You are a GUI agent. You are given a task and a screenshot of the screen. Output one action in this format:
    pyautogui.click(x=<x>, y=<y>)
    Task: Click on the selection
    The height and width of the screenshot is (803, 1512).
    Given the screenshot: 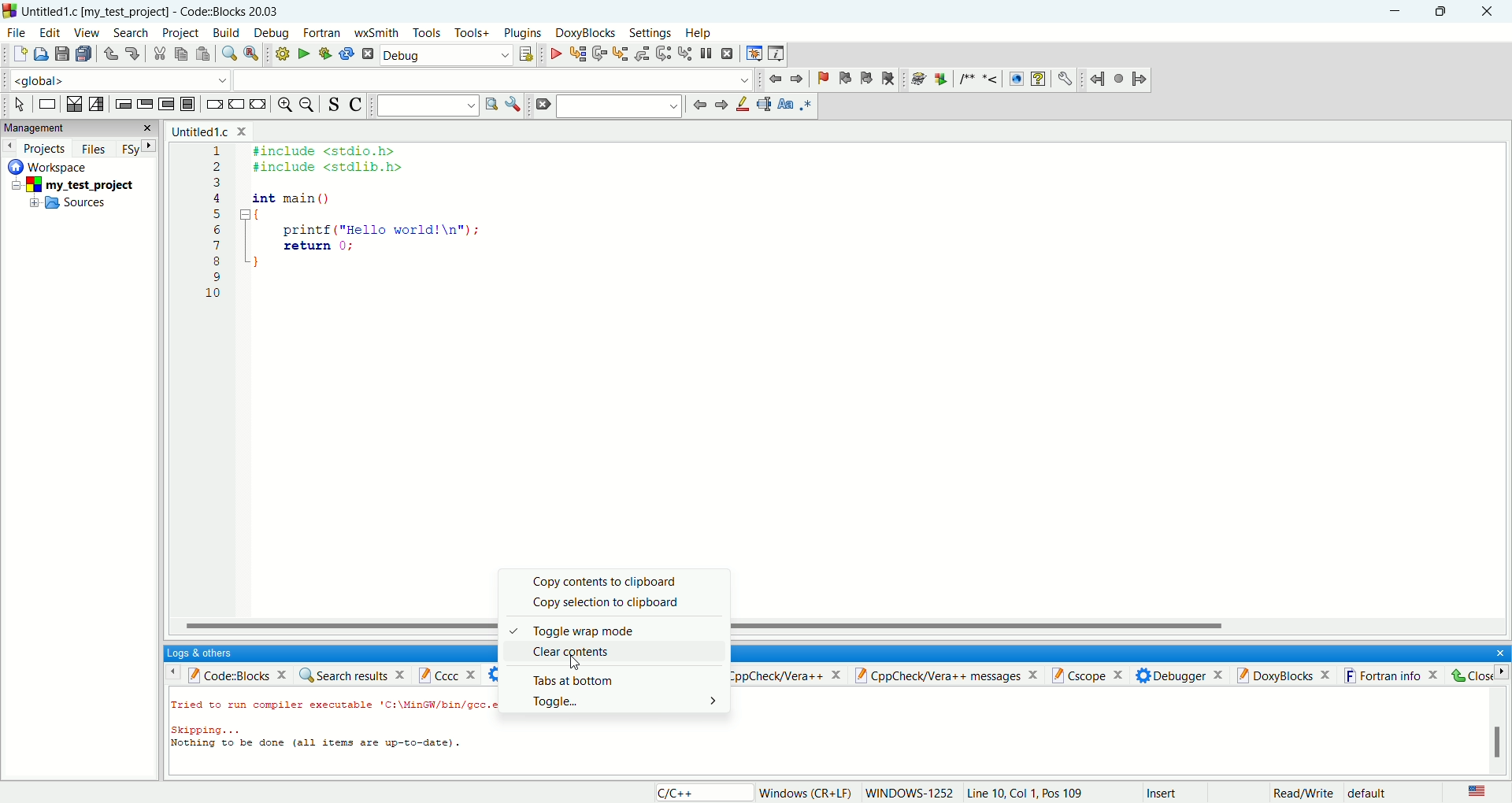 What is the action you would take?
    pyautogui.click(x=95, y=105)
    